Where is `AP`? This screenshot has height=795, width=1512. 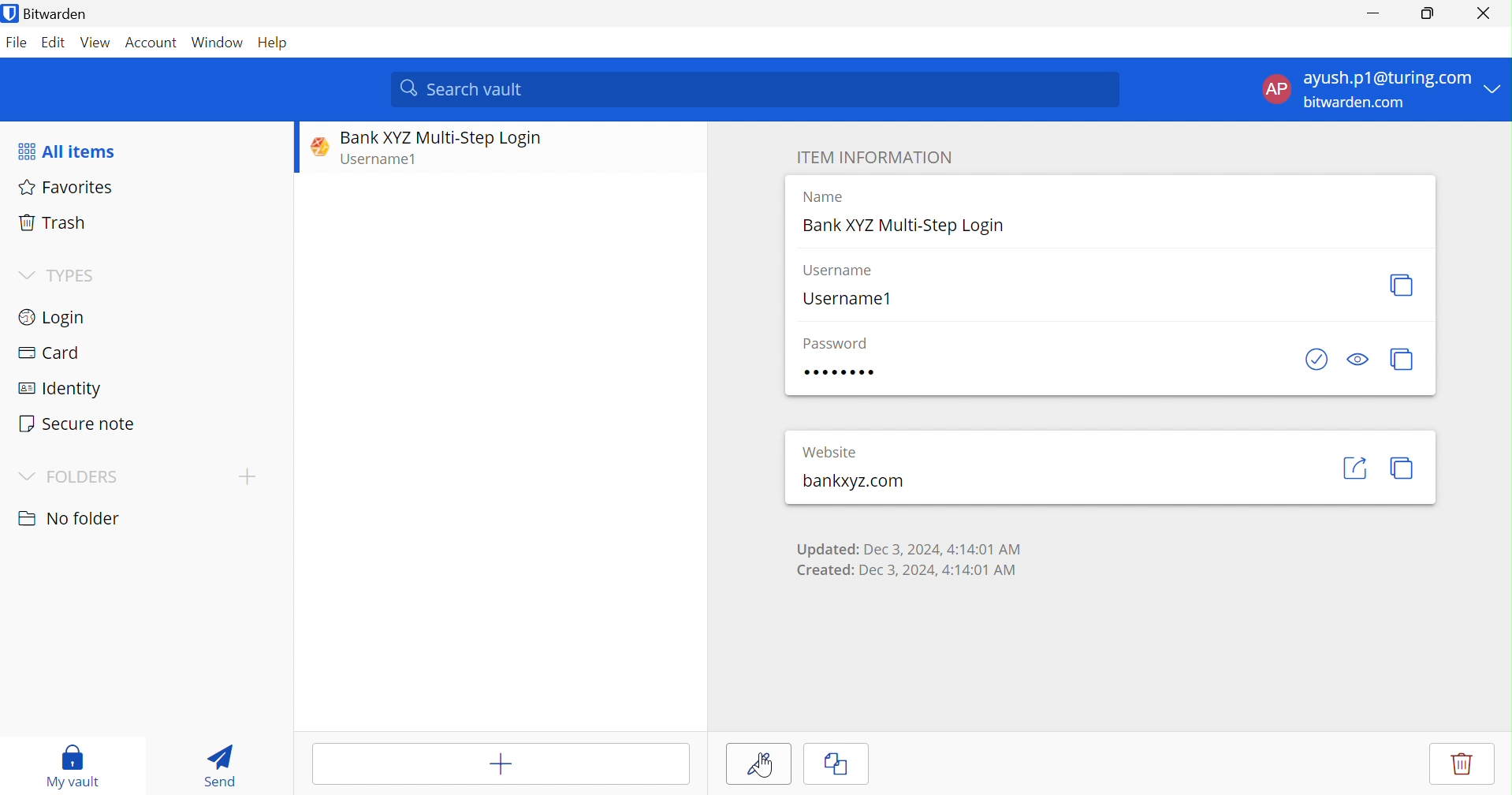 AP is located at coordinates (1281, 89).